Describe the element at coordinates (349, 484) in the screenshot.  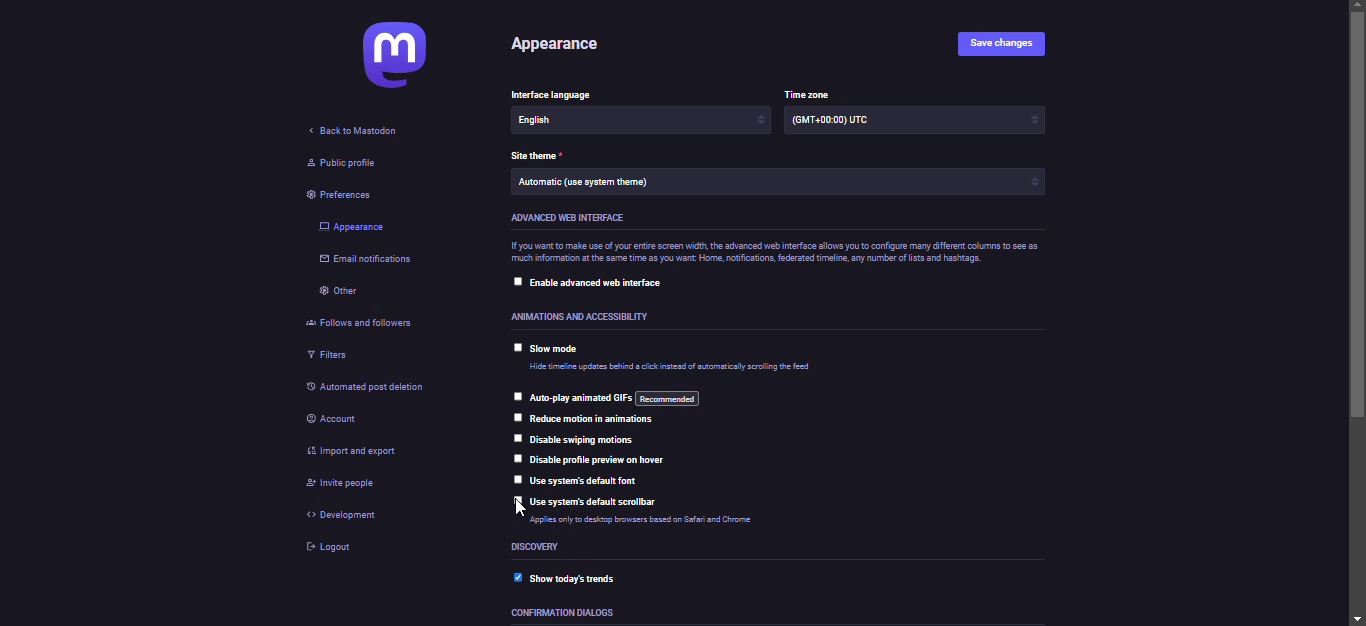
I see `invite people` at that location.